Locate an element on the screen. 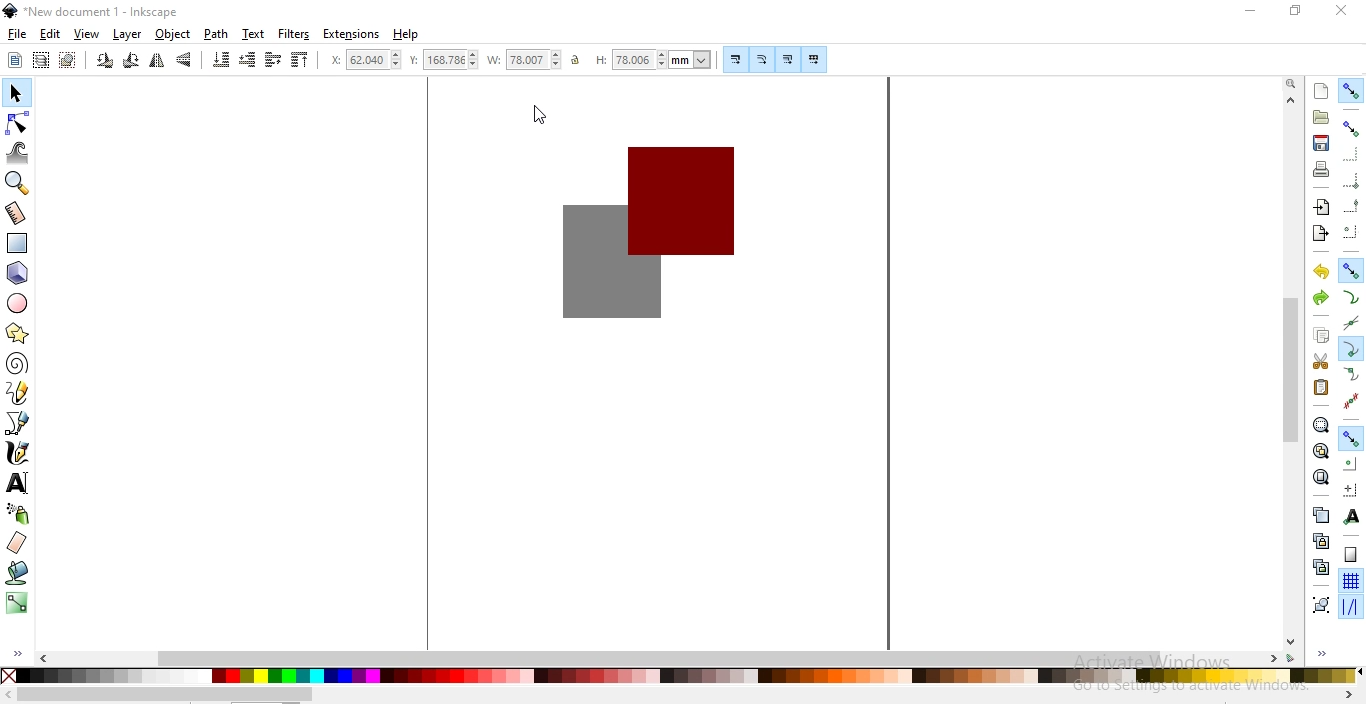 Image resolution: width=1366 pixels, height=704 pixels. shape image is located at coordinates (641, 228).